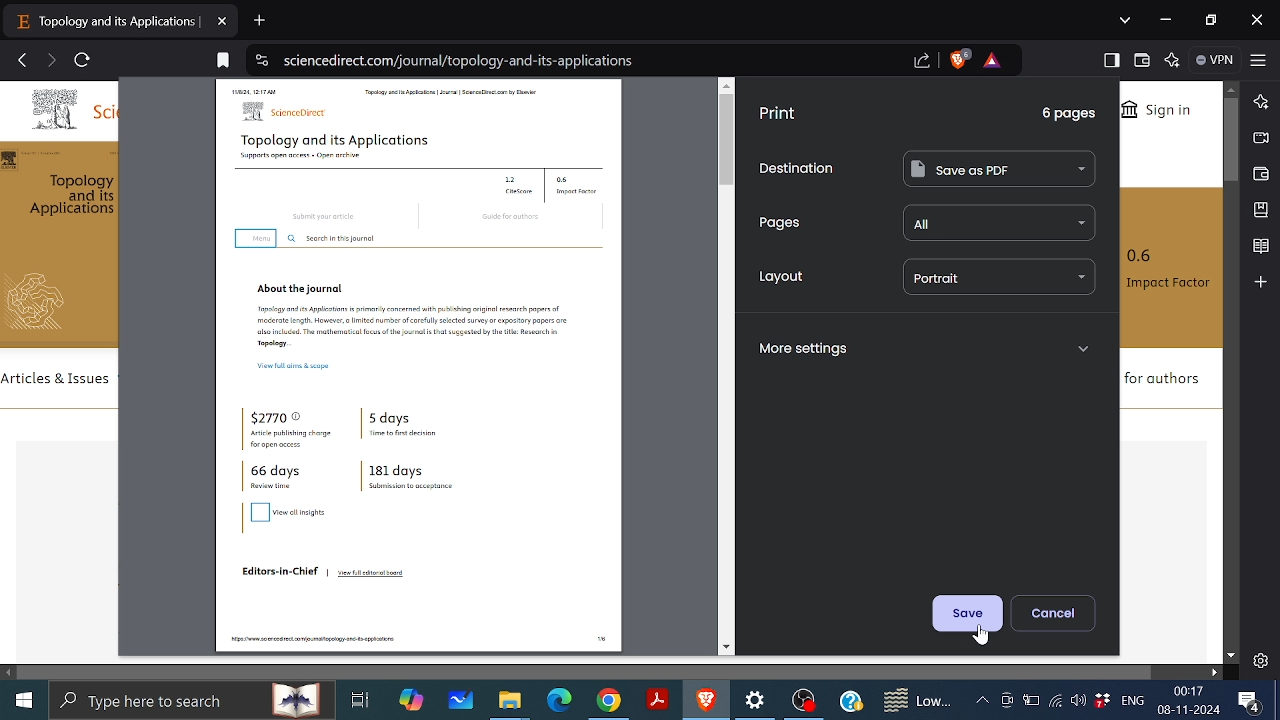 This screenshot has width=1280, height=720. What do you see at coordinates (1064, 114) in the screenshot?
I see `6 pages` at bounding box center [1064, 114].